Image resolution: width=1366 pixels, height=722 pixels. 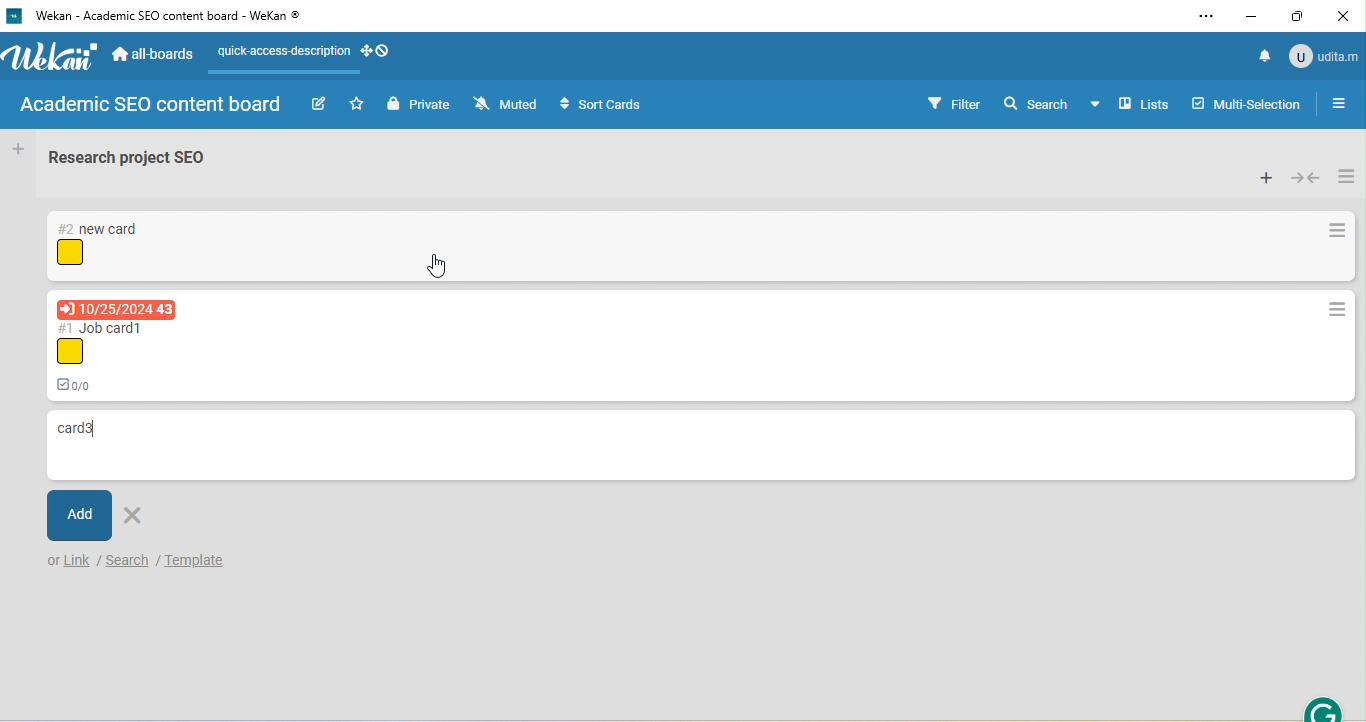 What do you see at coordinates (79, 561) in the screenshot?
I see `link` at bounding box center [79, 561].